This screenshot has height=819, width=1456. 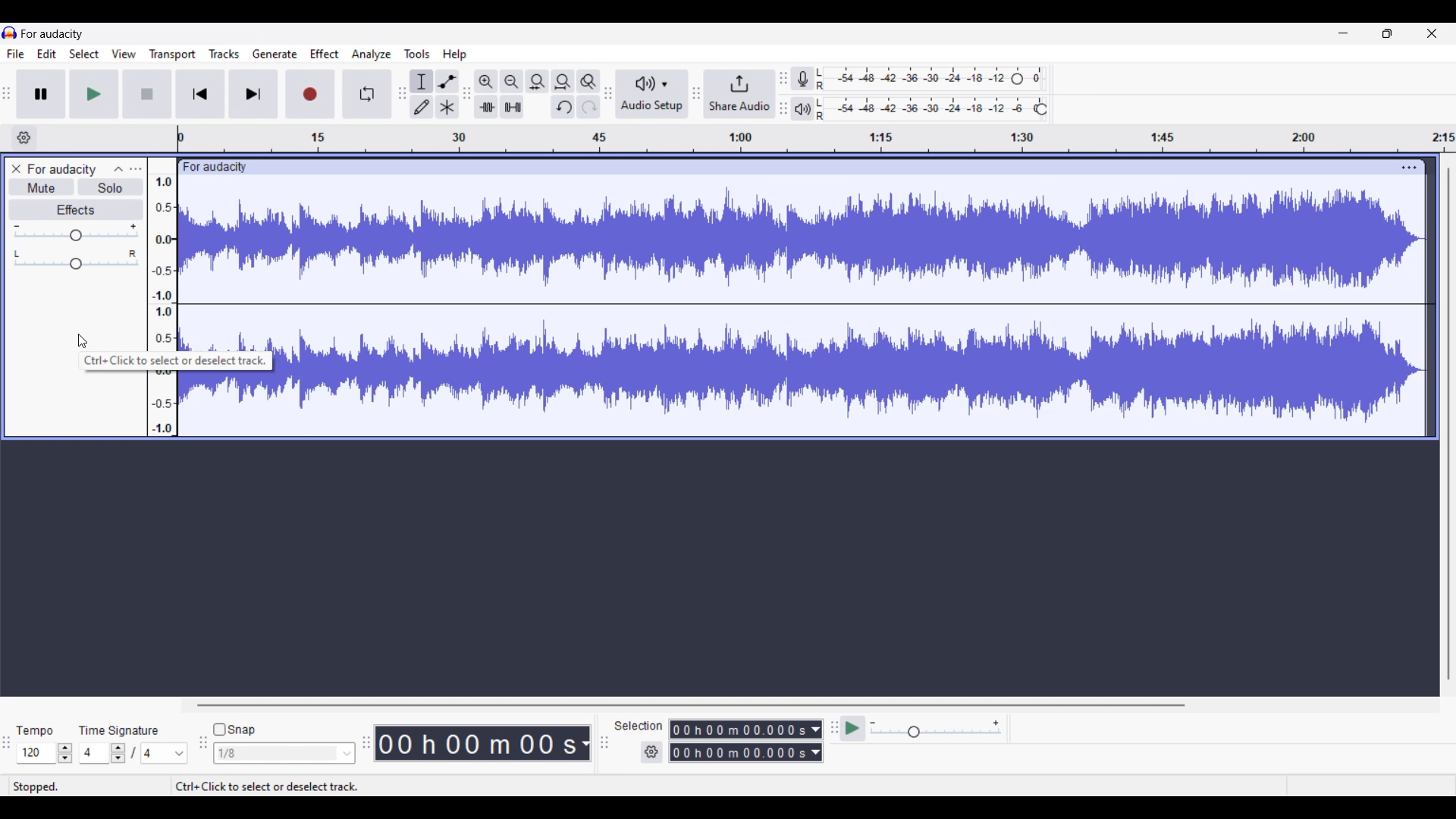 What do you see at coordinates (930, 79) in the screenshot?
I see `Recording level` at bounding box center [930, 79].